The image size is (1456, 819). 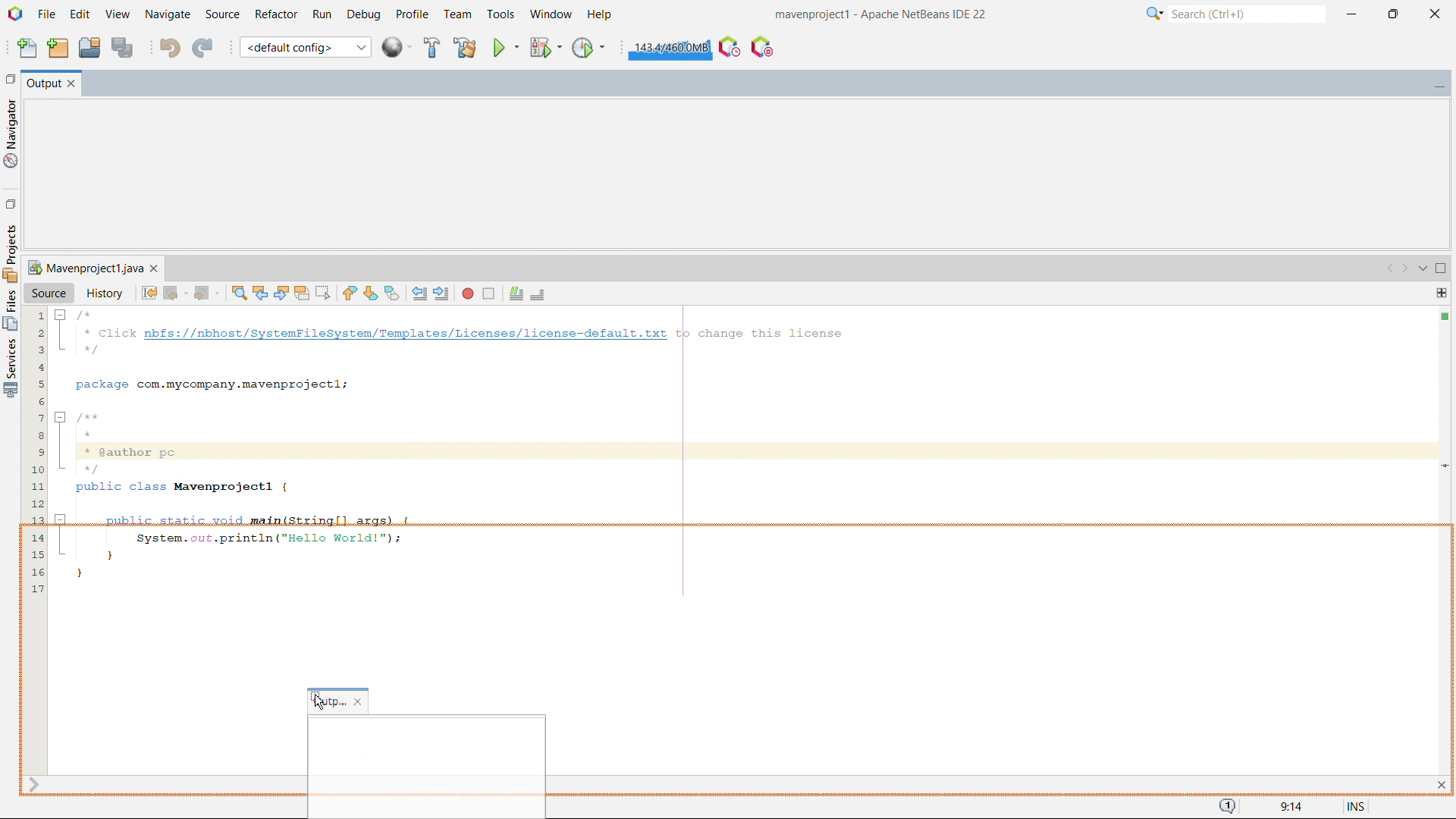 I want to click on open project, so click(x=89, y=45).